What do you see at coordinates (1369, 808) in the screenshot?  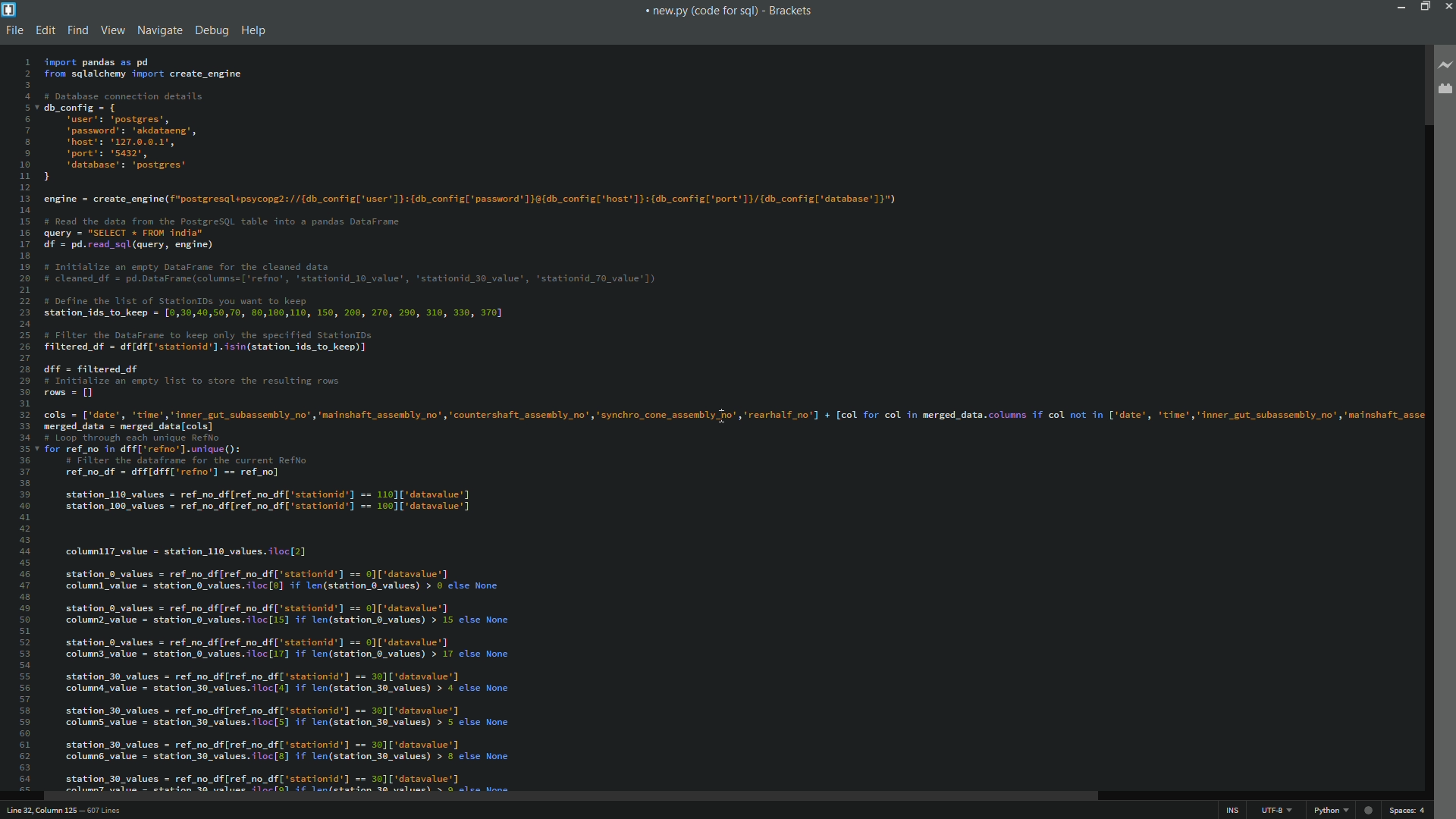 I see `web` at bounding box center [1369, 808].